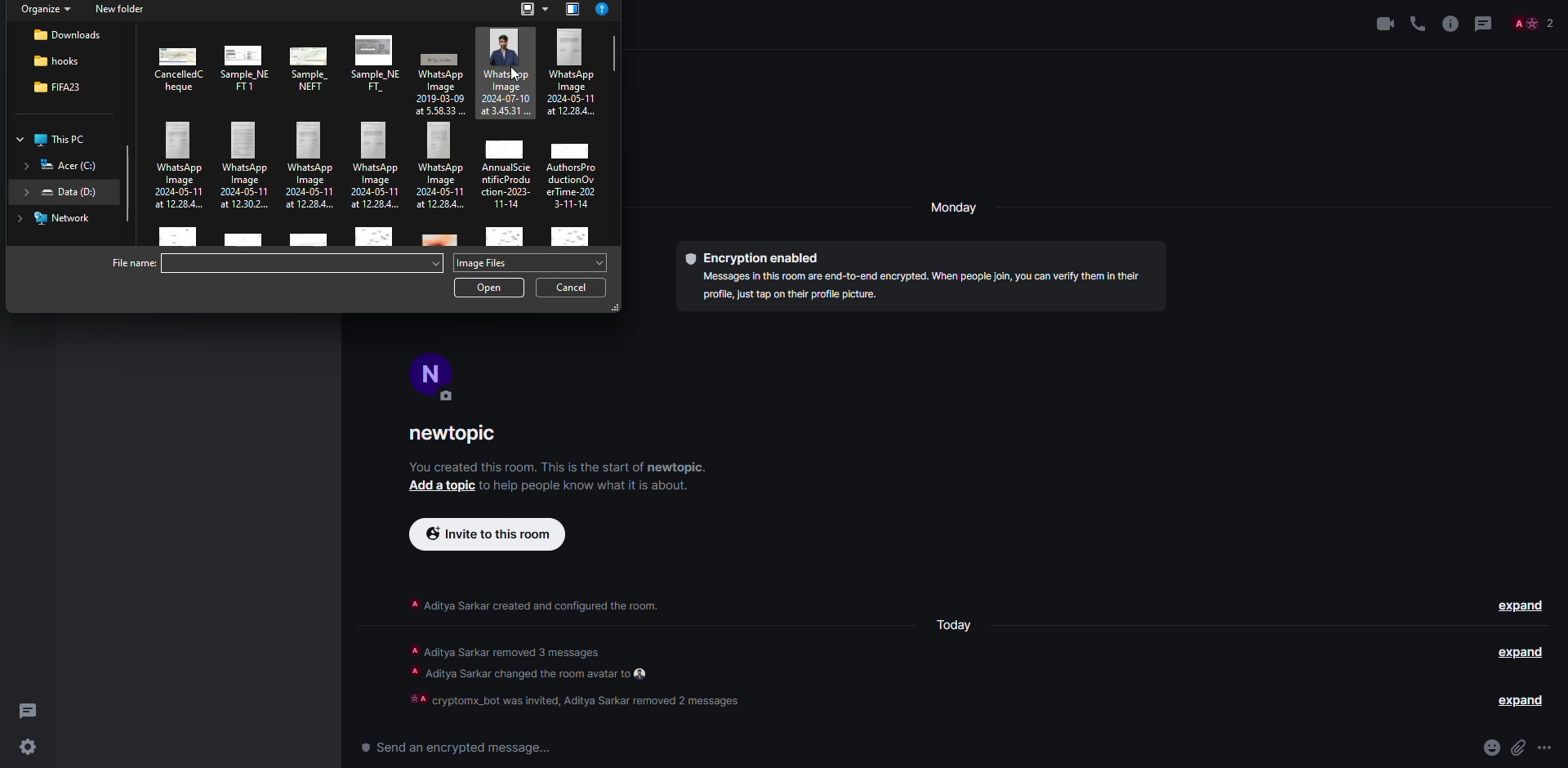 This screenshot has width=1568, height=768. Describe the element at coordinates (489, 261) in the screenshot. I see `image files` at that location.